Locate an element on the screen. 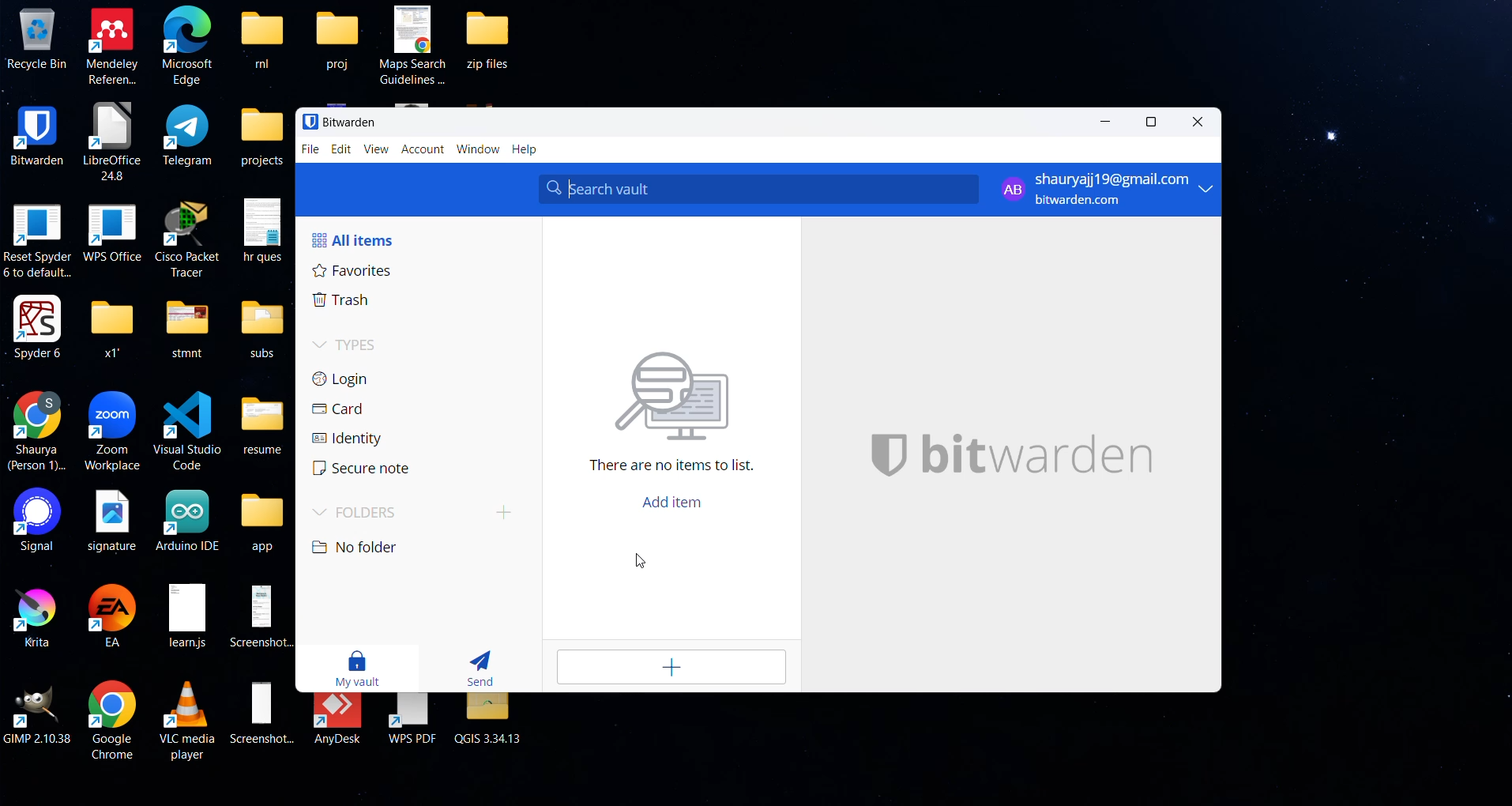  zip files is located at coordinates (496, 38).